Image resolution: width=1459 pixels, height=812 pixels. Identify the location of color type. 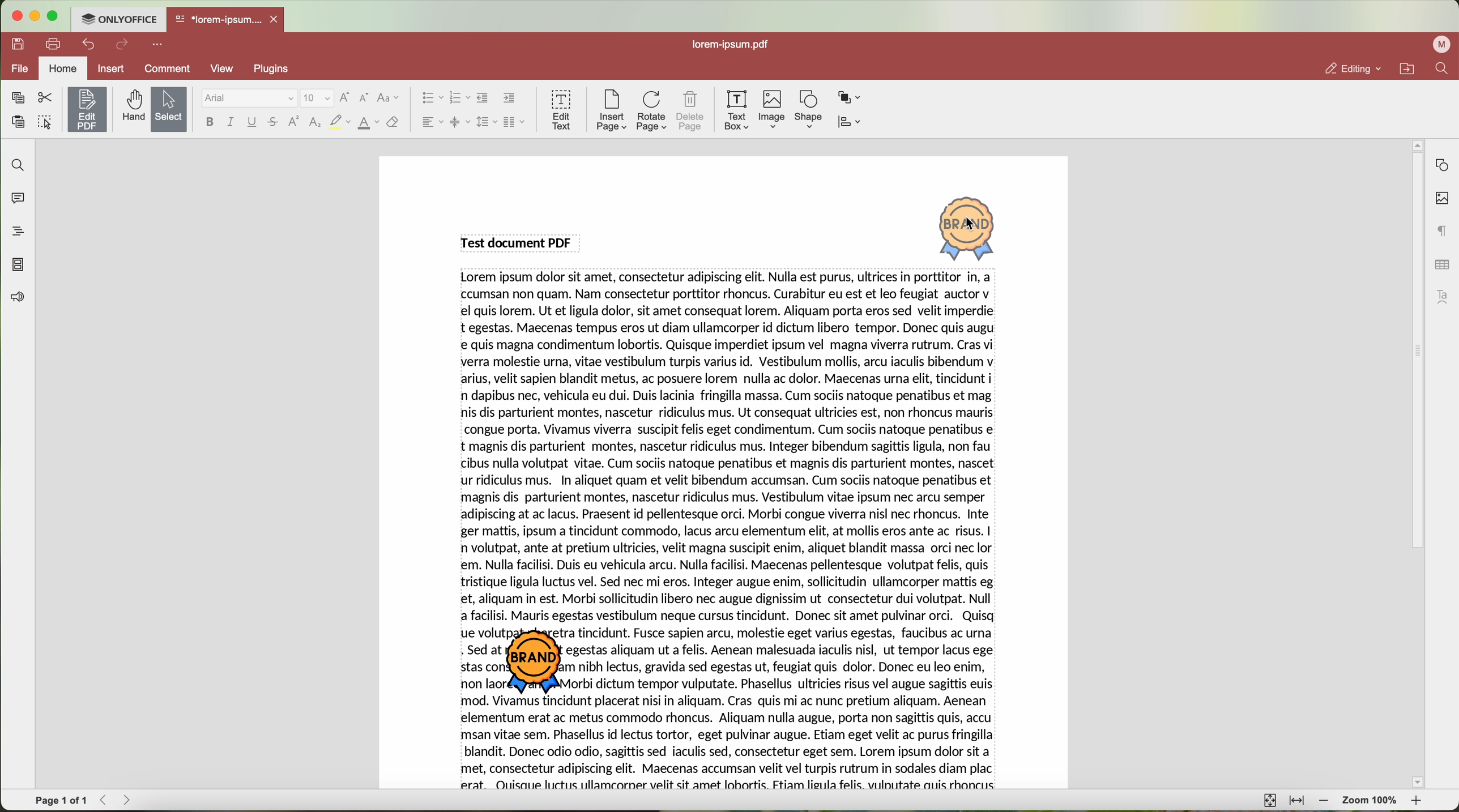
(369, 123).